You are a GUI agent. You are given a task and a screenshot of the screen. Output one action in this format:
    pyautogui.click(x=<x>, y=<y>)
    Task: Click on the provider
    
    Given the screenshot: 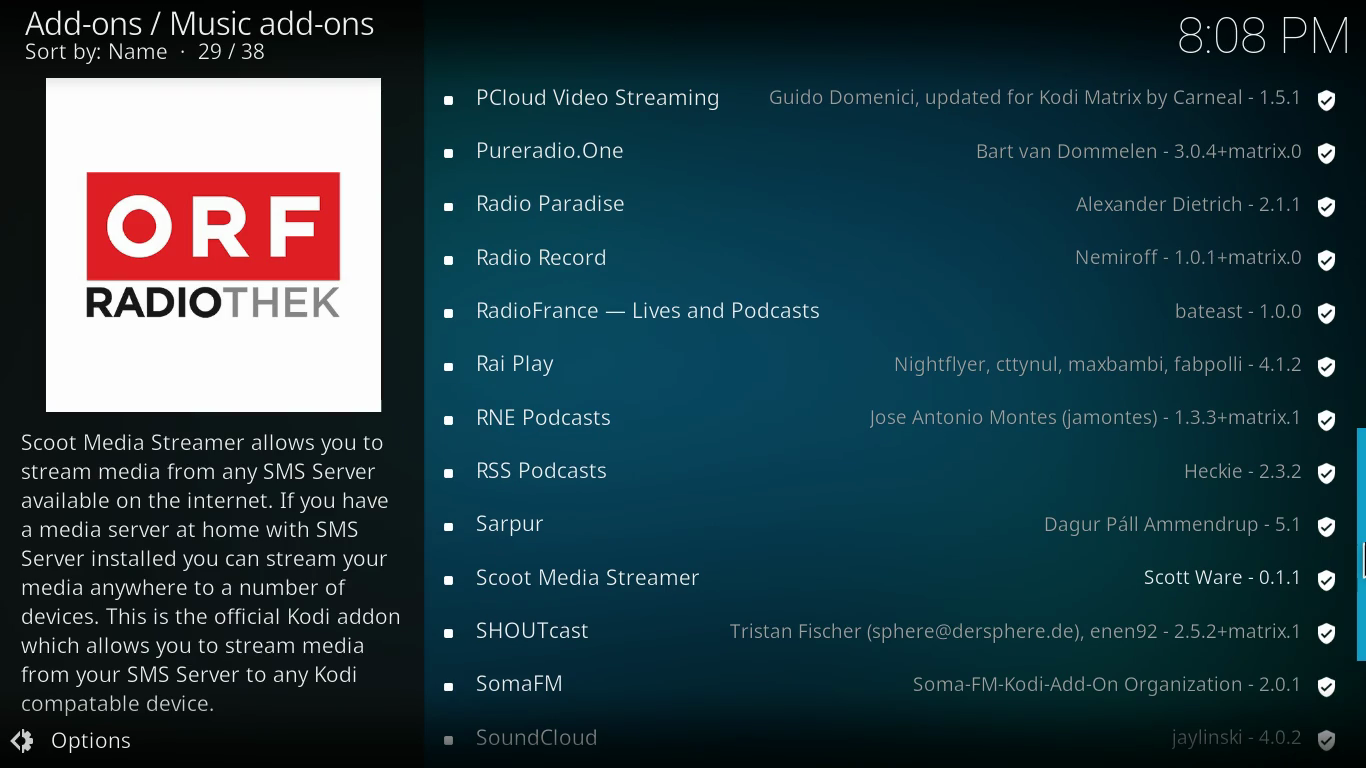 What is the action you would take?
    pyautogui.click(x=1035, y=629)
    